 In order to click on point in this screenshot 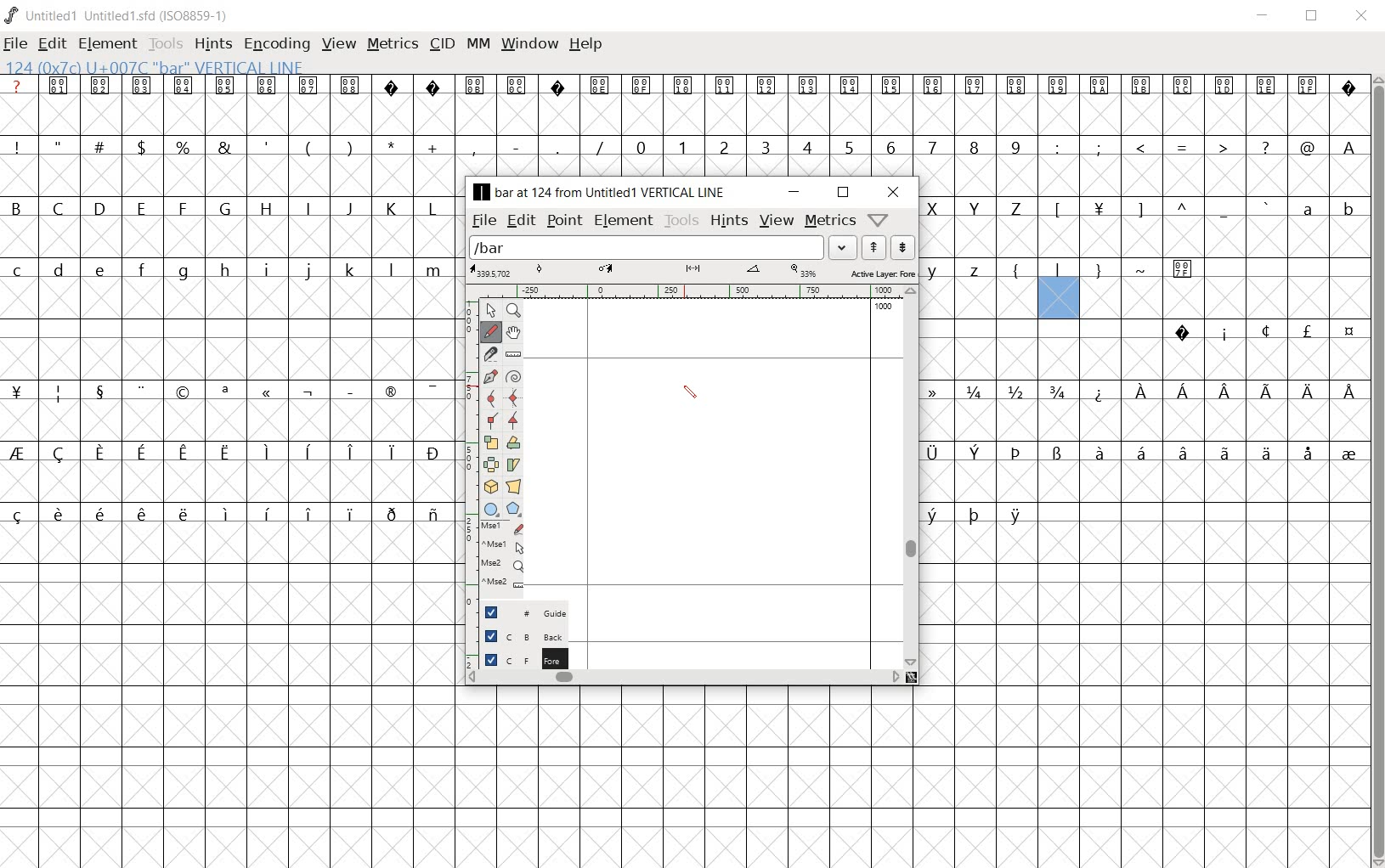, I will do `click(564, 219)`.